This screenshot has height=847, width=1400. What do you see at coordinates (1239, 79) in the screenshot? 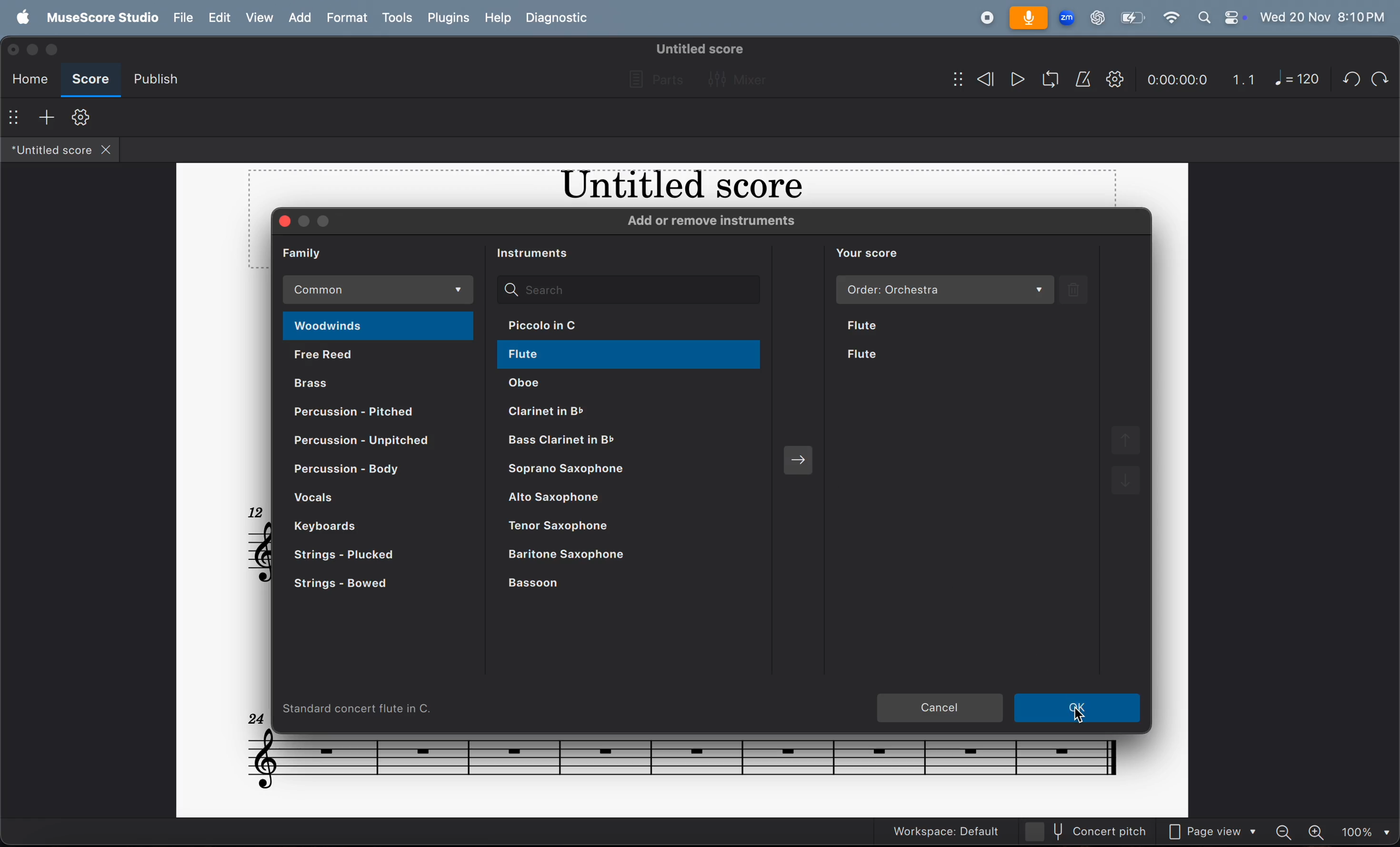
I see `1.1` at bounding box center [1239, 79].